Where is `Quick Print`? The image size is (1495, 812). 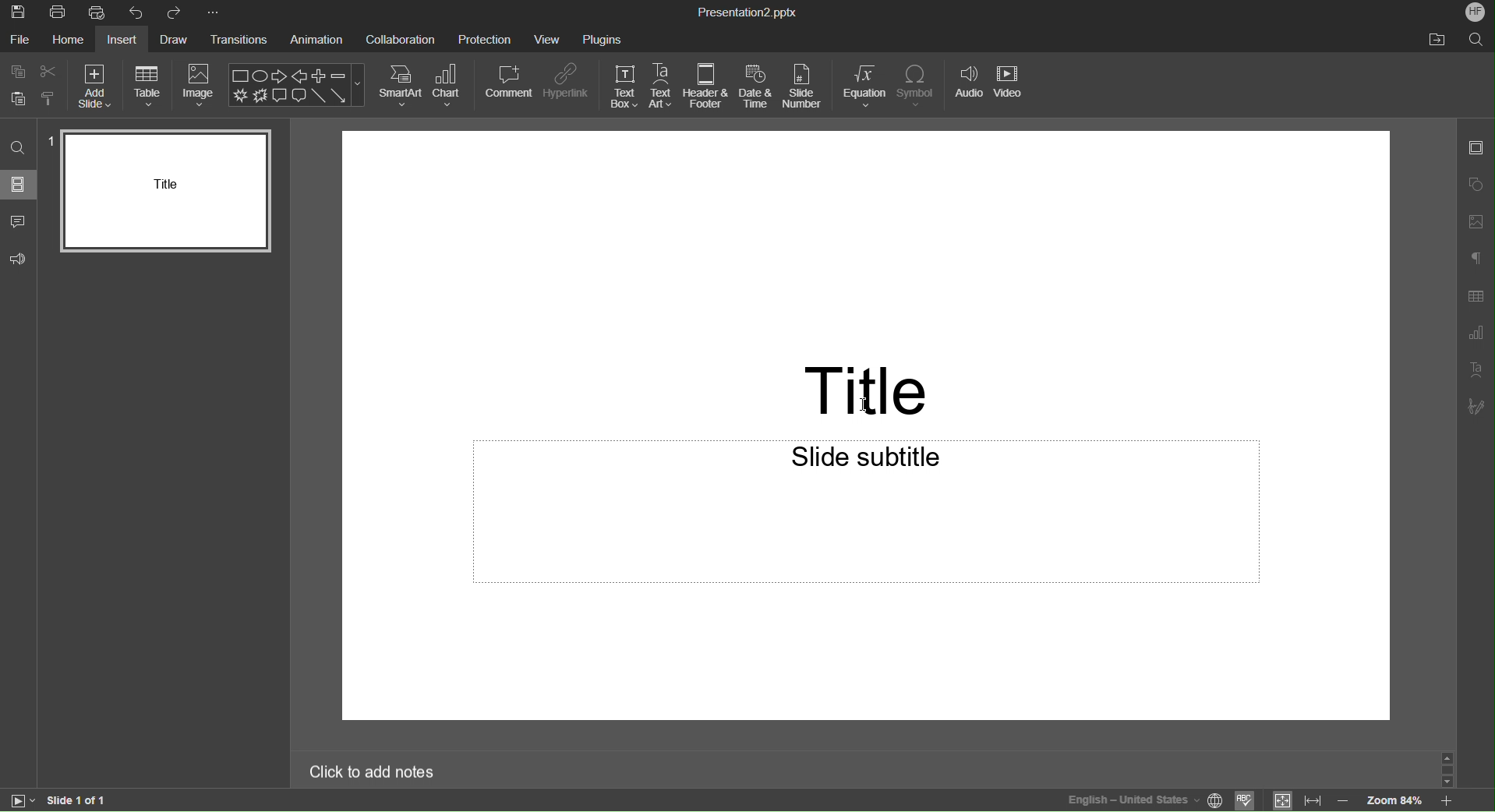 Quick Print is located at coordinates (97, 12).